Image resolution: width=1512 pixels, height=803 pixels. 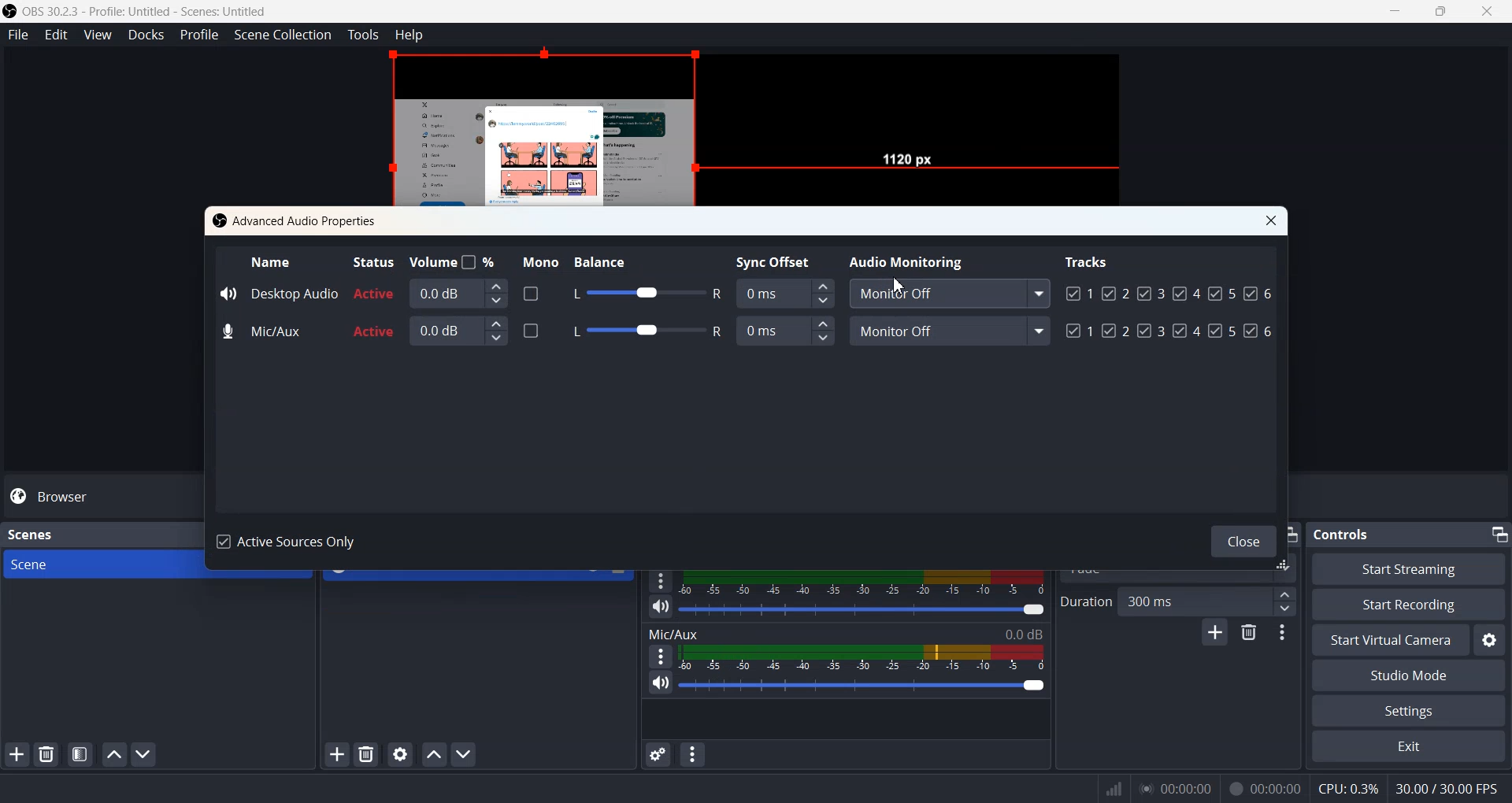 I want to click on Docks, so click(x=146, y=35).